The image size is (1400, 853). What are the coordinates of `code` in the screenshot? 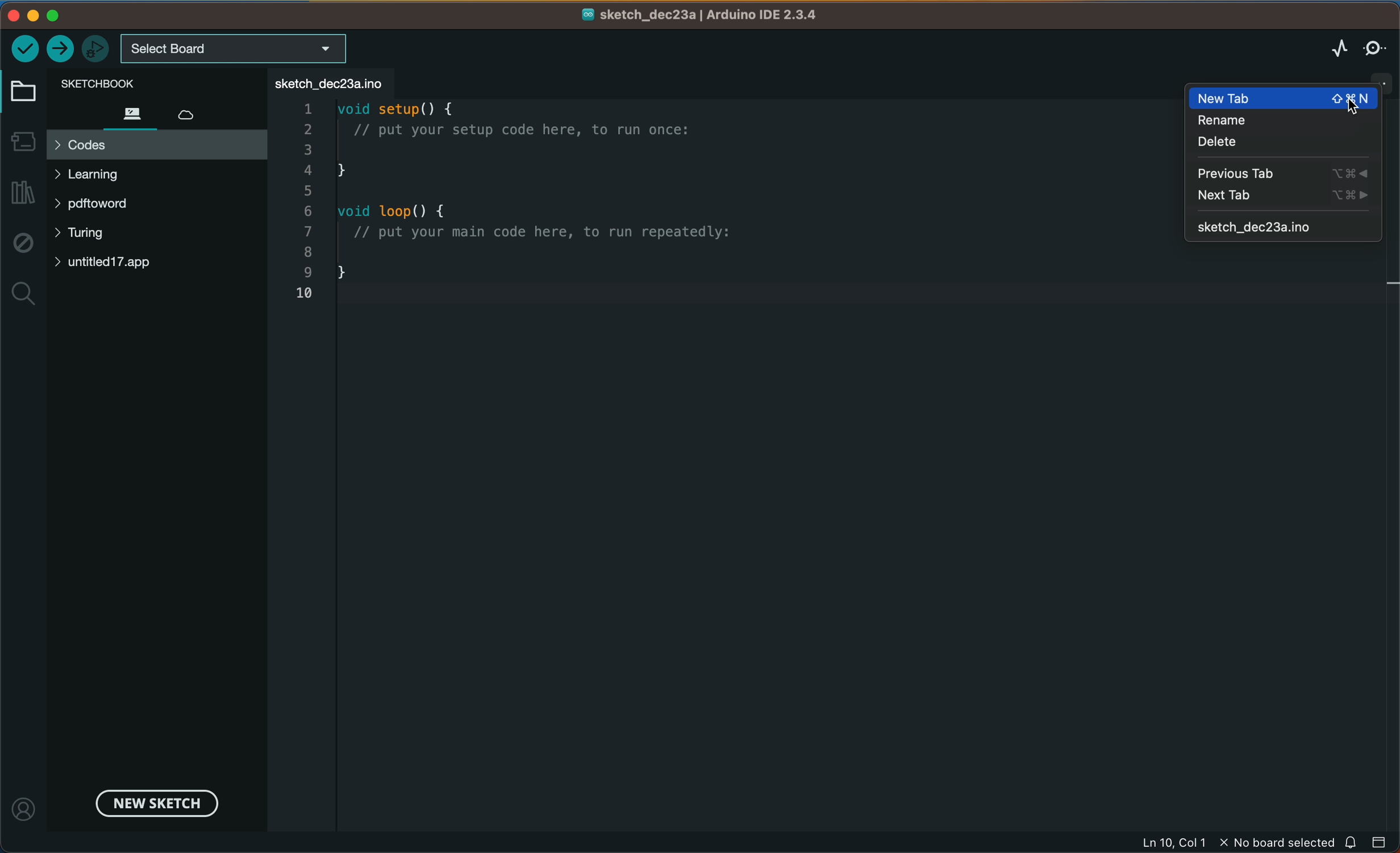 It's located at (557, 208).